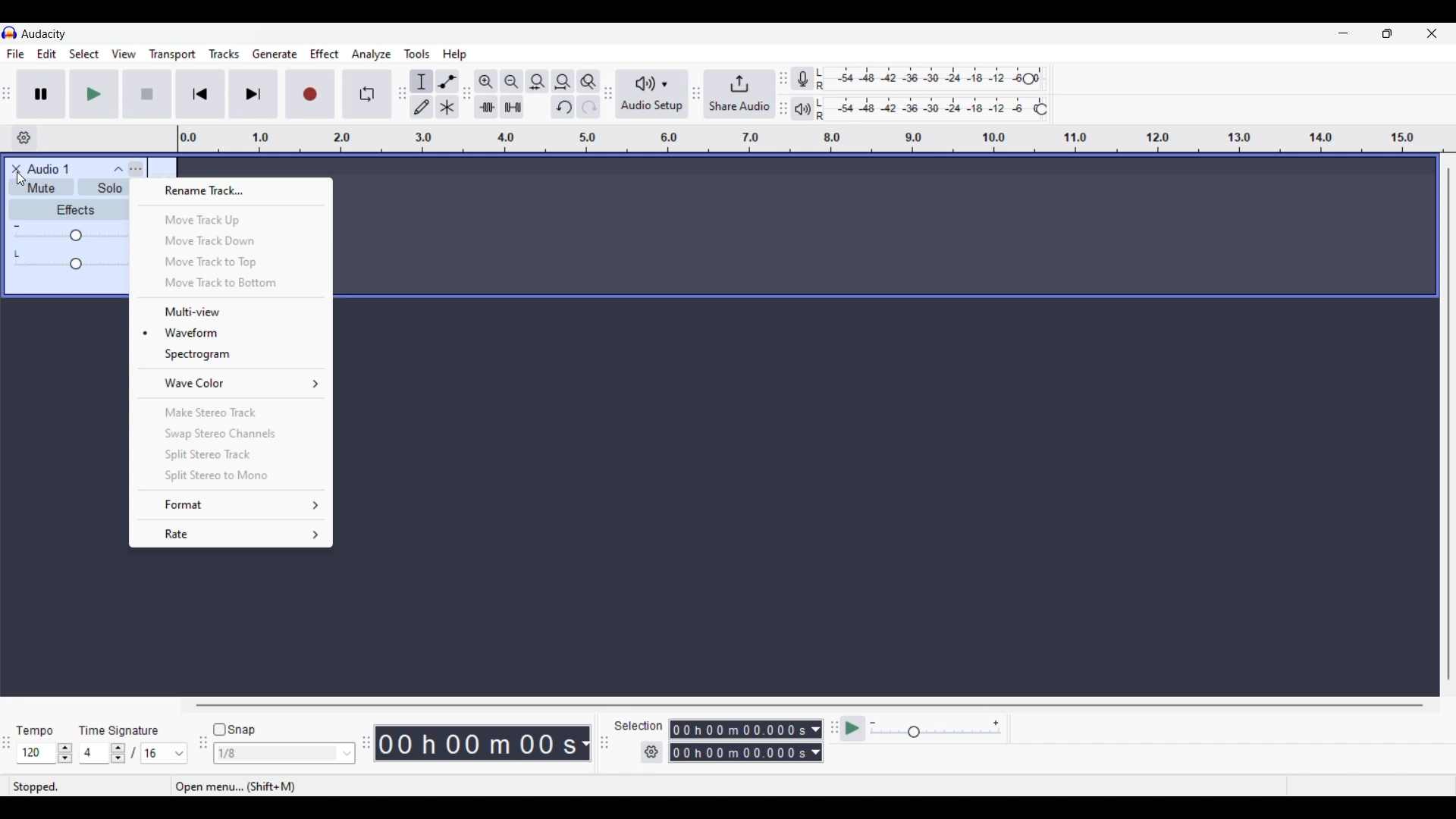  I want to click on Fit project to width, so click(563, 81).